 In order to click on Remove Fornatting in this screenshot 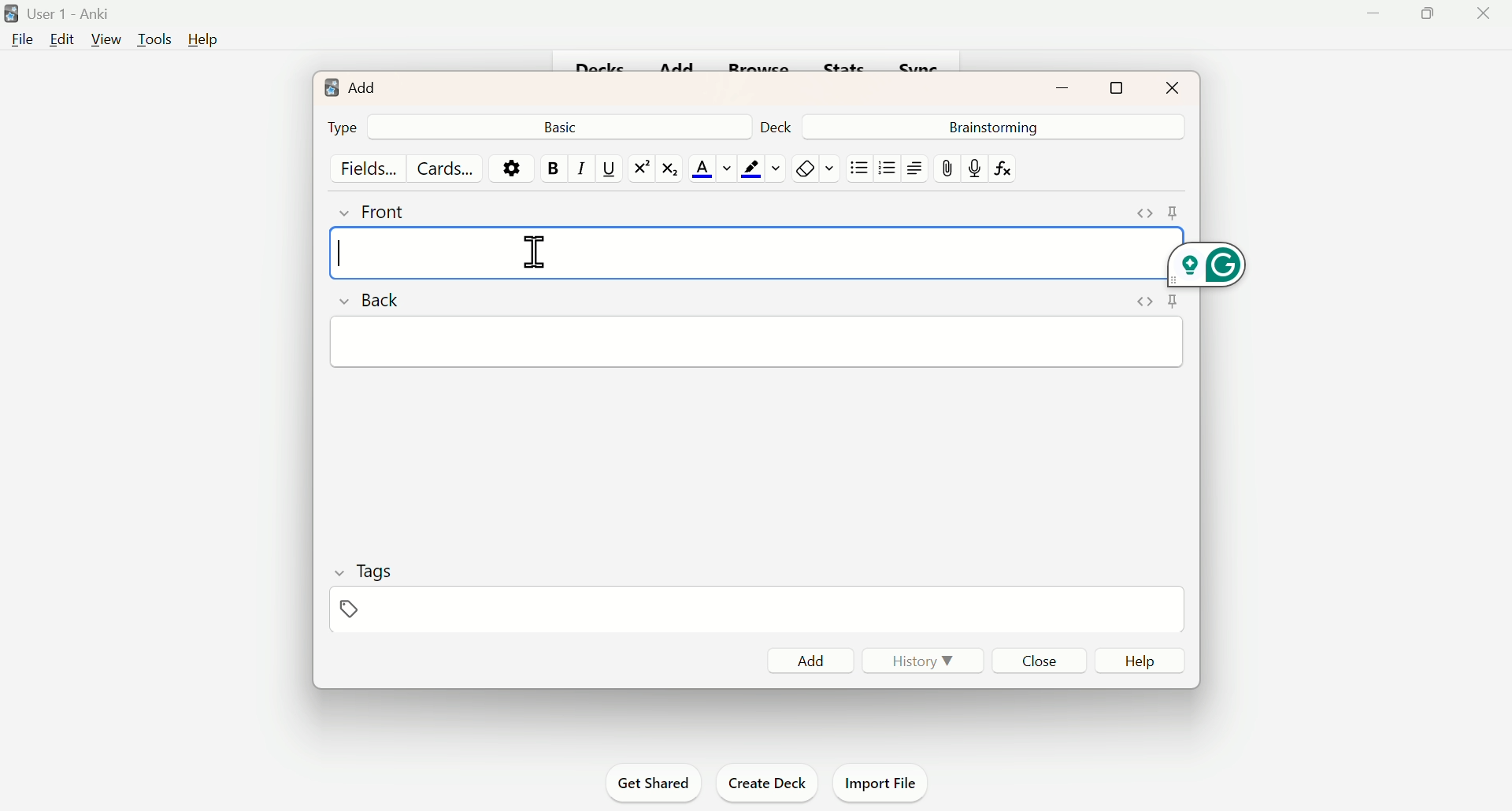, I will do `click(803, 168)`.